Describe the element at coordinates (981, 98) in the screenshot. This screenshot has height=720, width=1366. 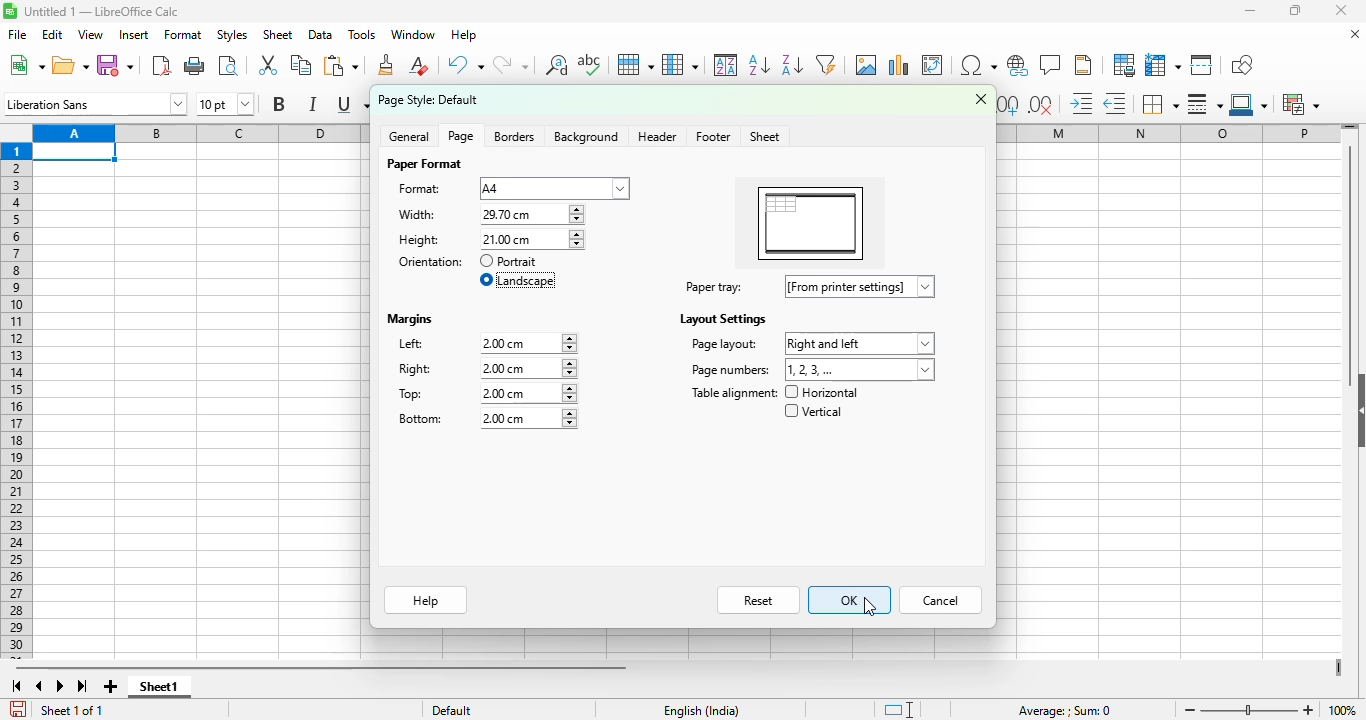
I see `close` at that location.